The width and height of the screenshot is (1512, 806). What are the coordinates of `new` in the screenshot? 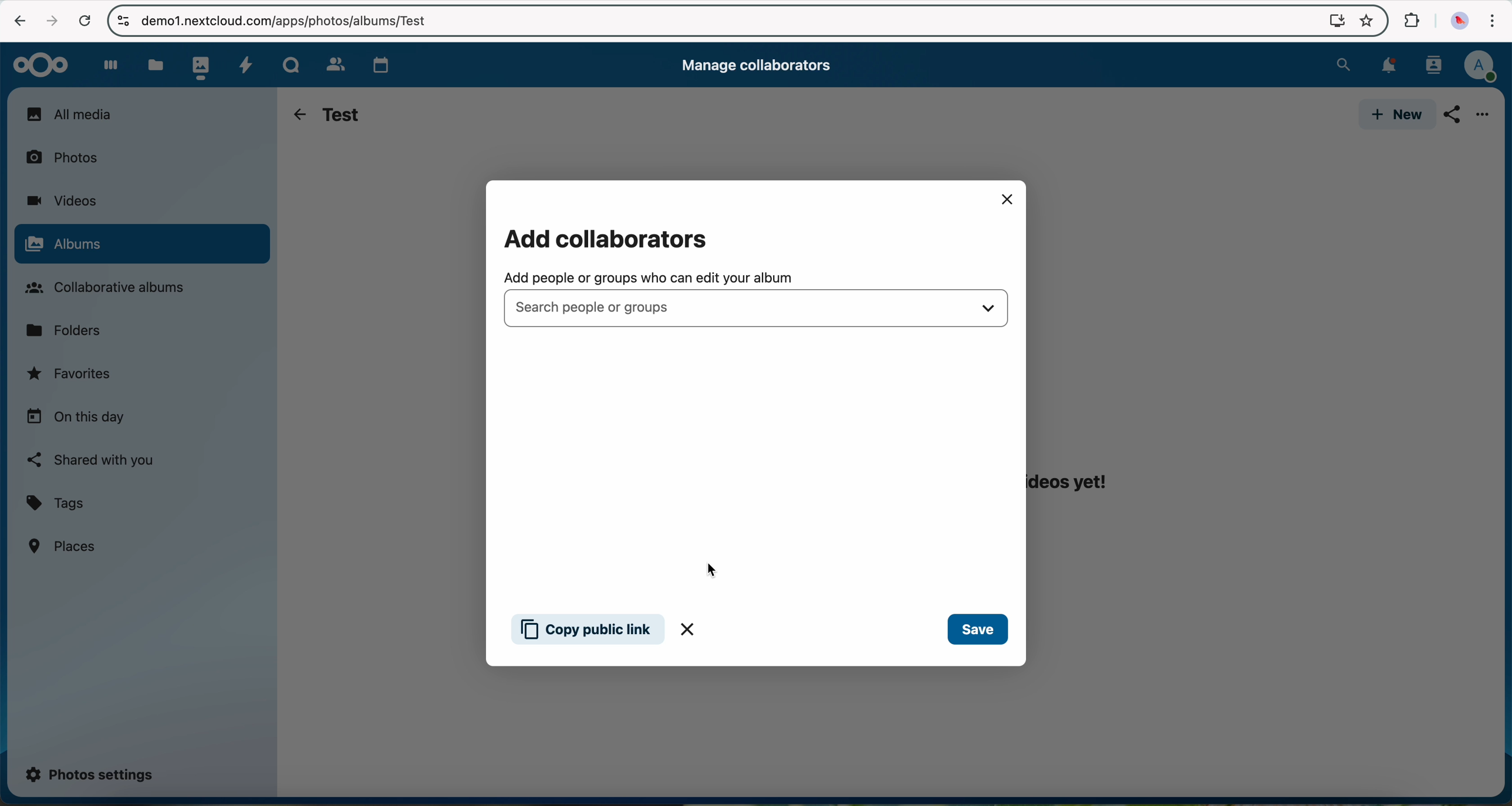 It's located at (1394, 115).